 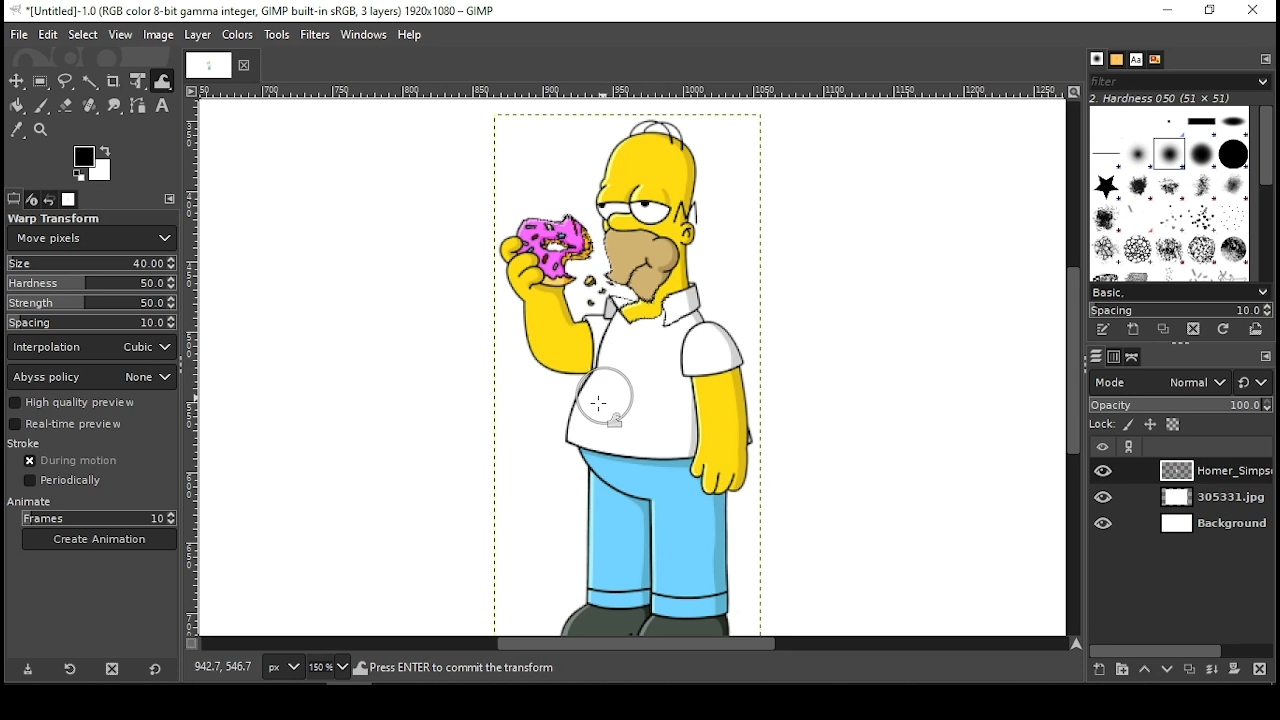 I want to click on tab, so click(x=211, y=67).